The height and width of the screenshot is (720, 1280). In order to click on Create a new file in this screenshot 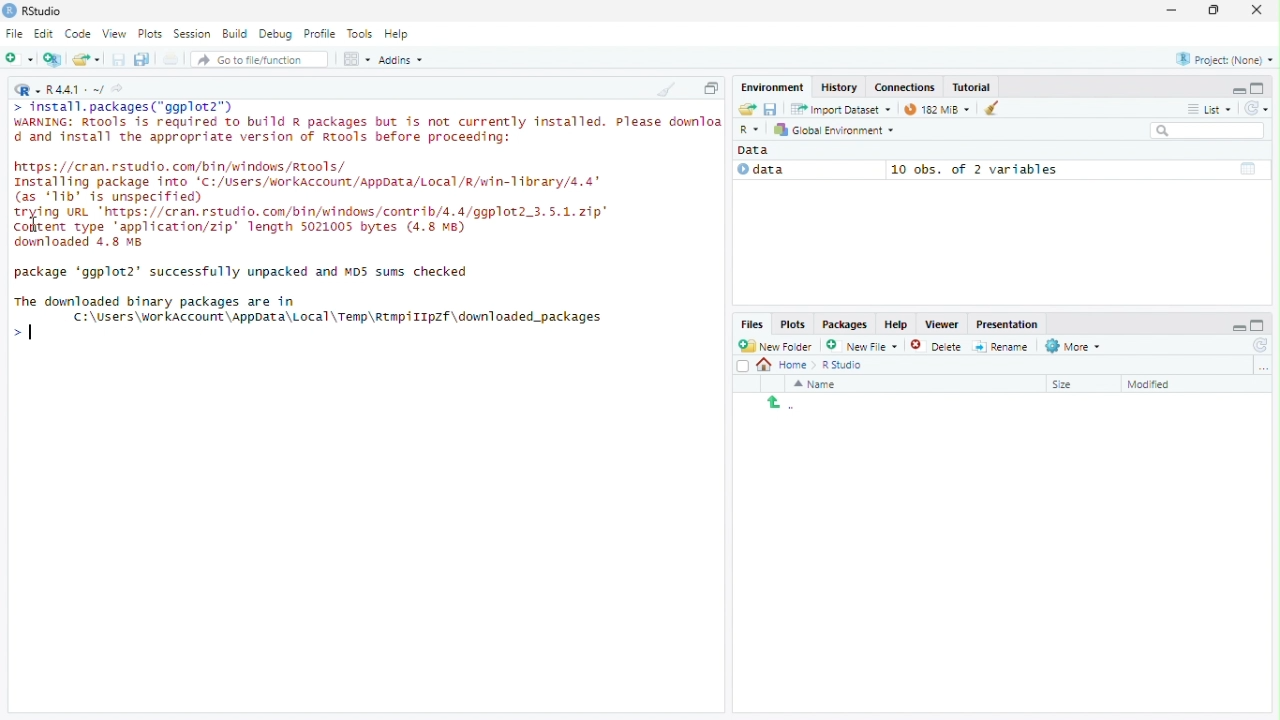, I will do `click(20, 59)`.